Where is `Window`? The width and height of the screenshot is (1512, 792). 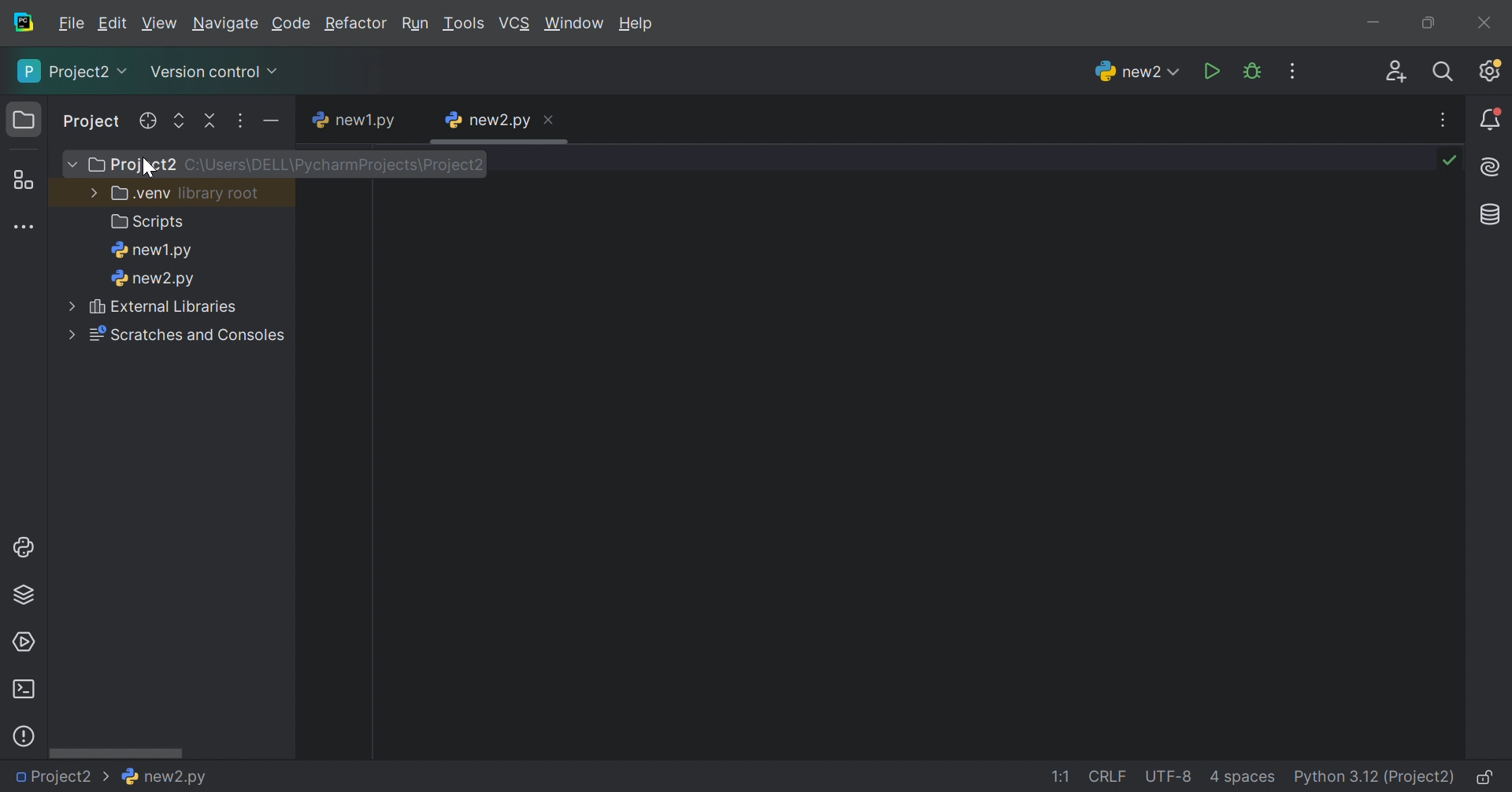
Window is located at coordinates (574, 23).